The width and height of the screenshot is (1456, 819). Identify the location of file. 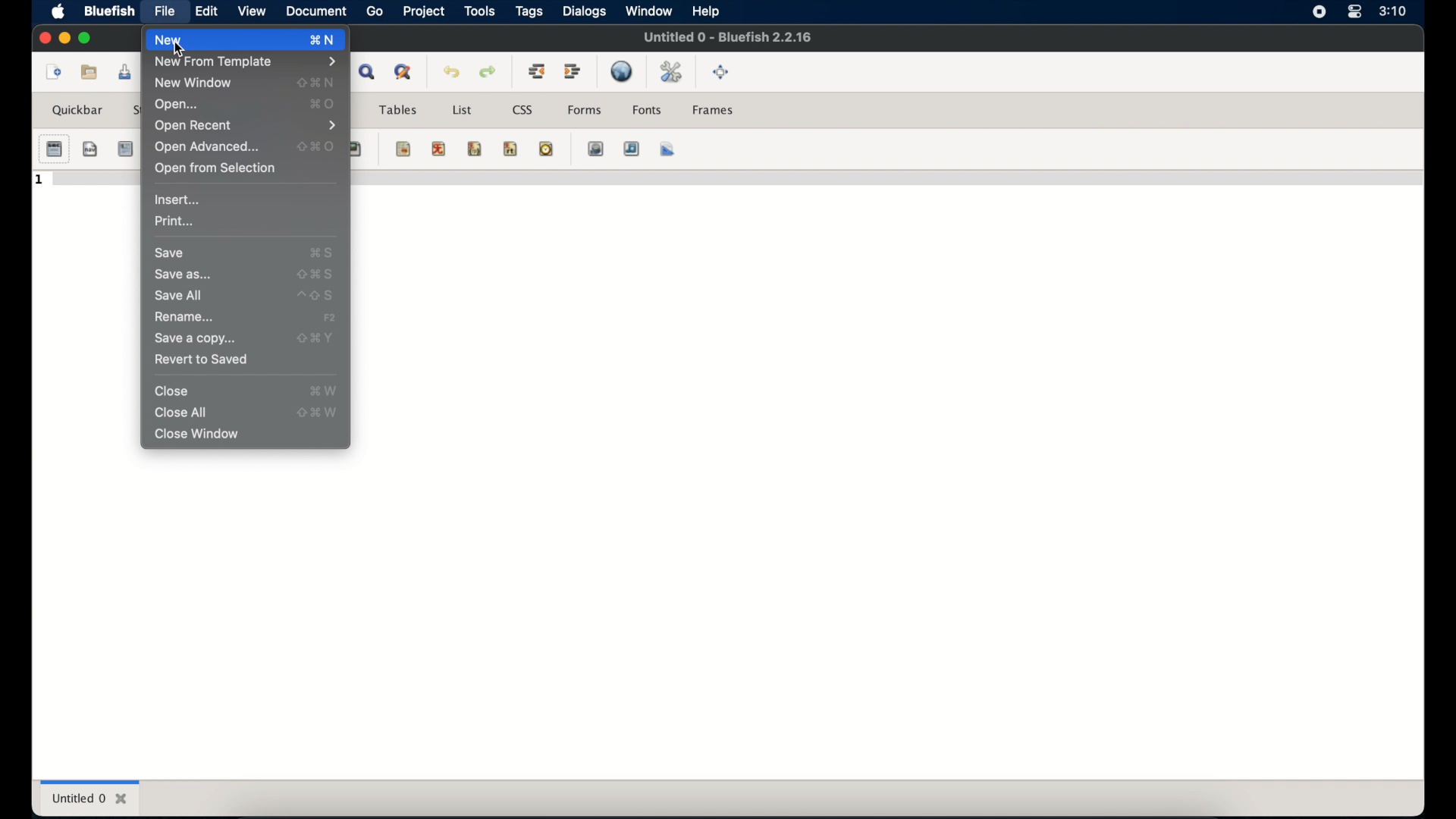
(166, 11).